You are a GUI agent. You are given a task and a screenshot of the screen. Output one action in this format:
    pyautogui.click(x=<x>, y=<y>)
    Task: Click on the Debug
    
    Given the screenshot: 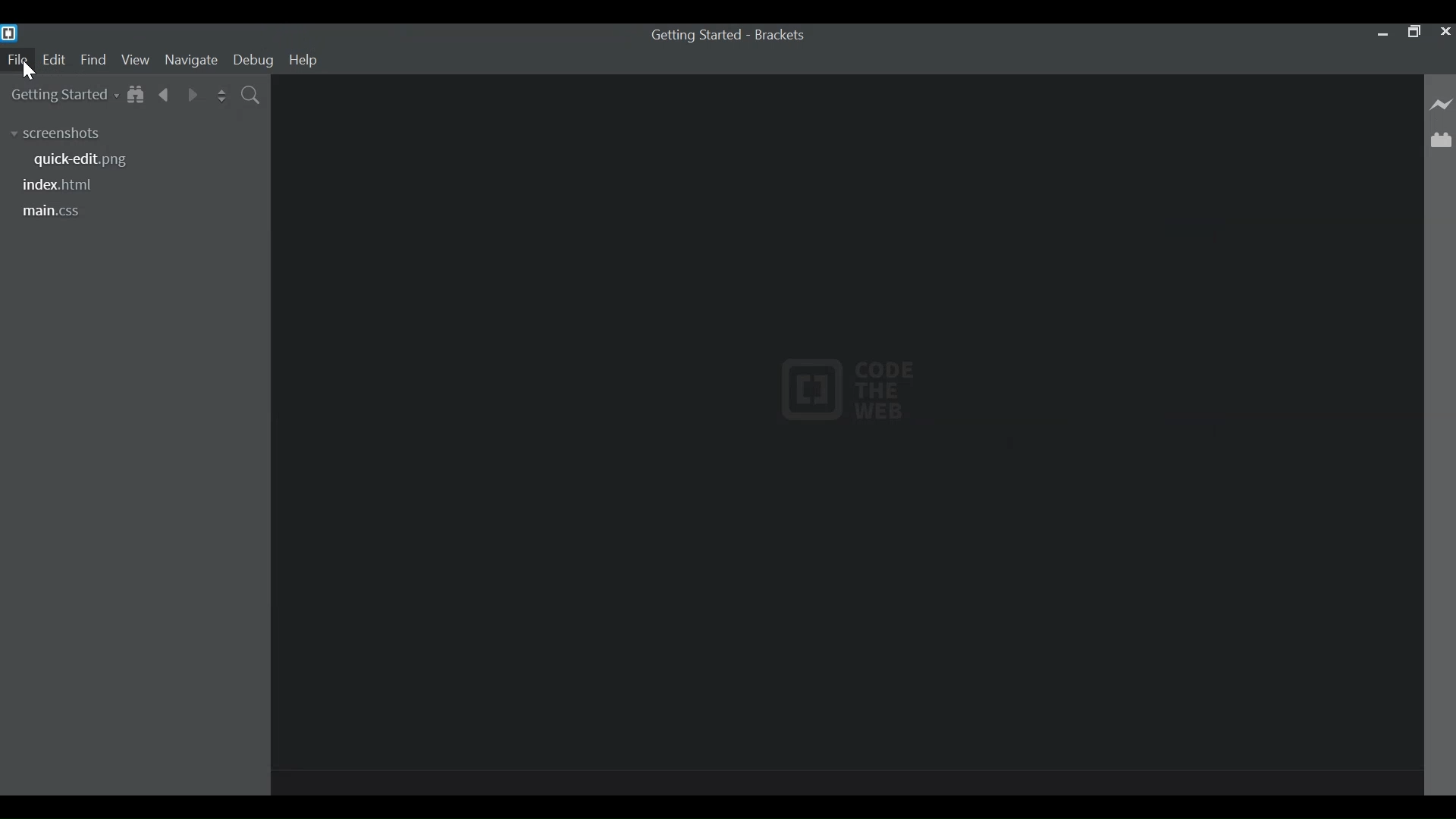 What is the action you would take?
    pyautogui.click(x=253, y=60)
    